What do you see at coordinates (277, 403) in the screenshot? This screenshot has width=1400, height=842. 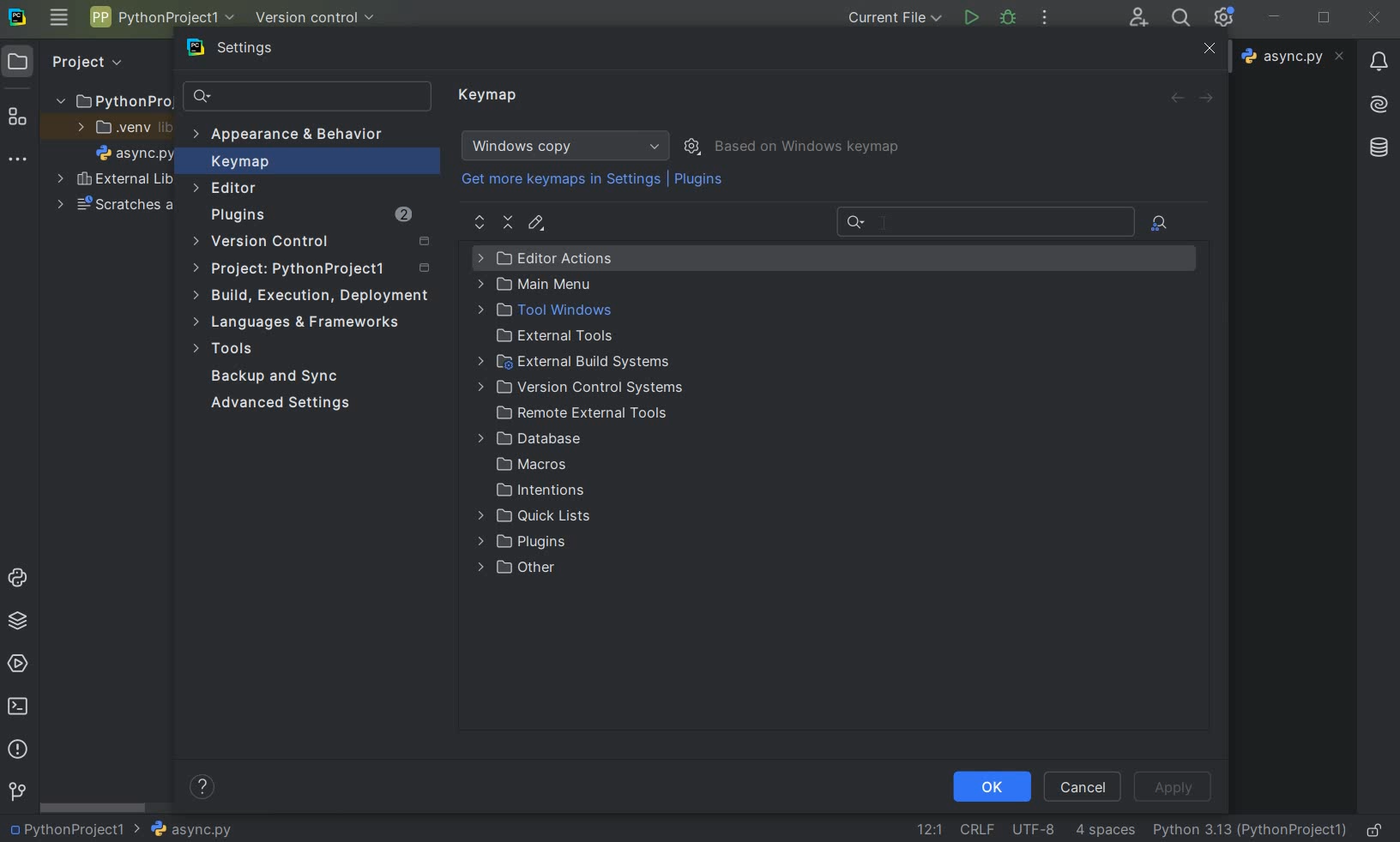 I see `advanced settings` at bounding box center [277, 403].